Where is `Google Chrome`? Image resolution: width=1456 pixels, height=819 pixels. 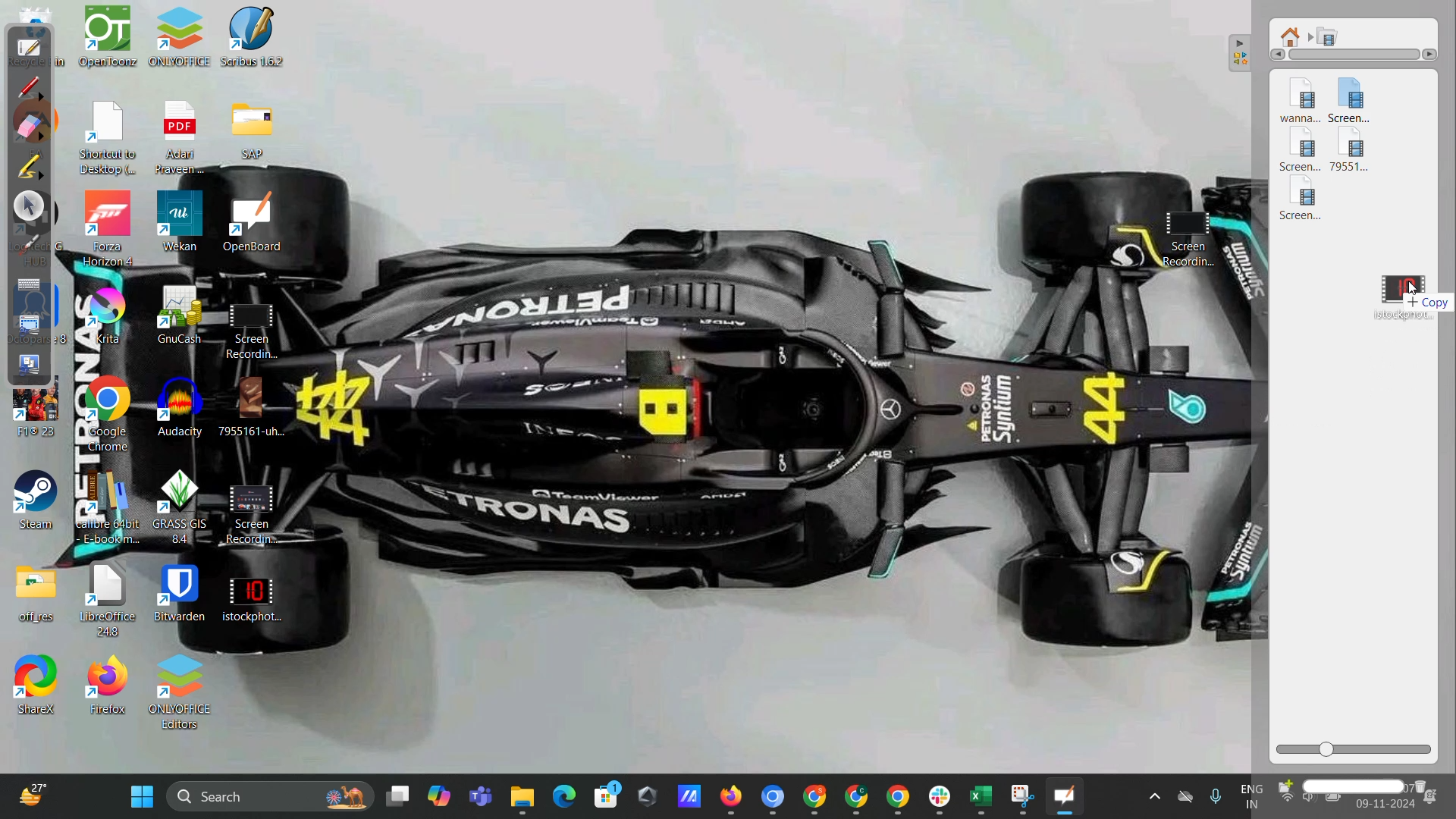 Google Chrome is located at coordinates (112, 413).